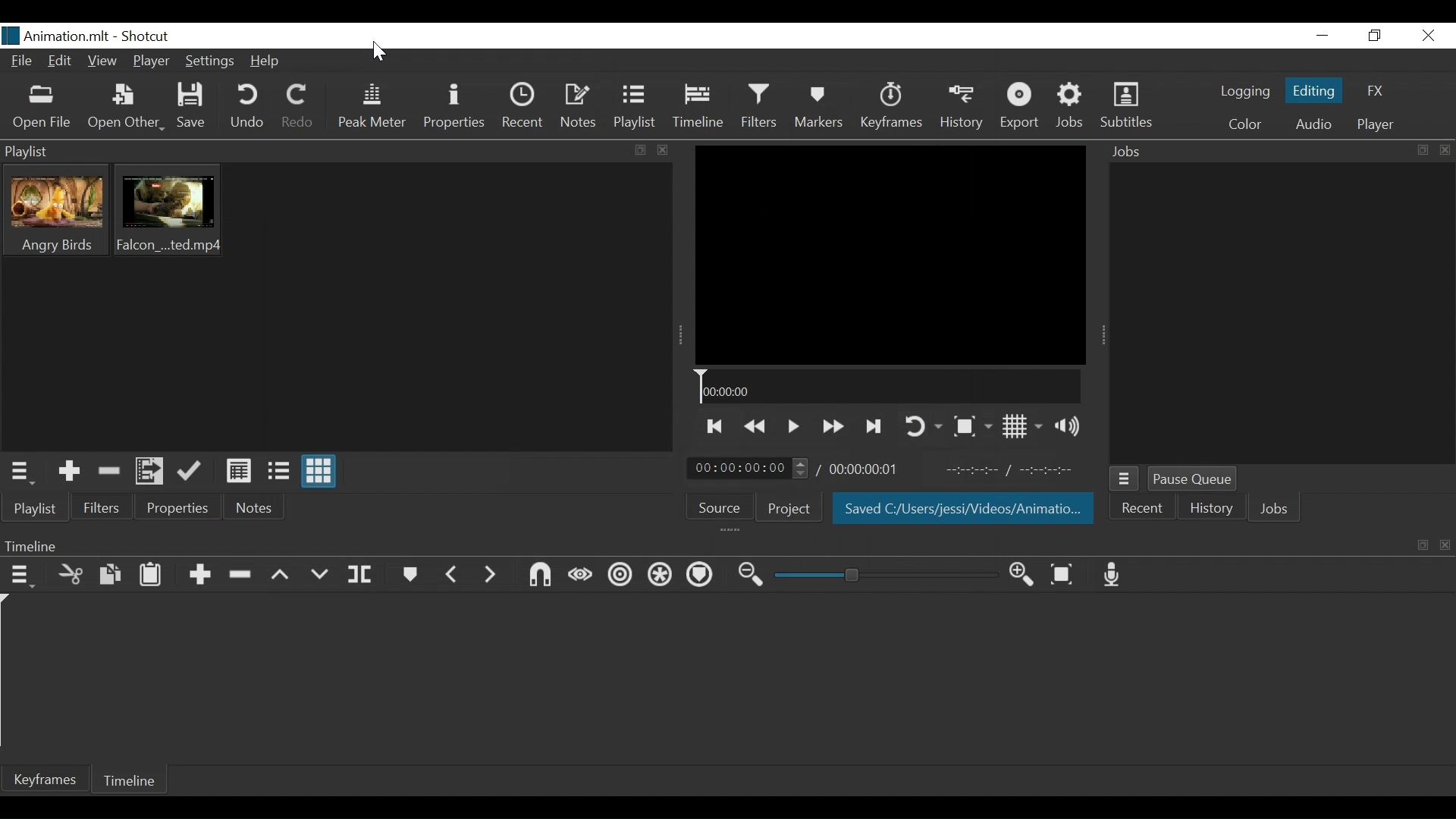 This screenshot has height=819, width=1456. I want to click on Audio, so click(1312, 124).